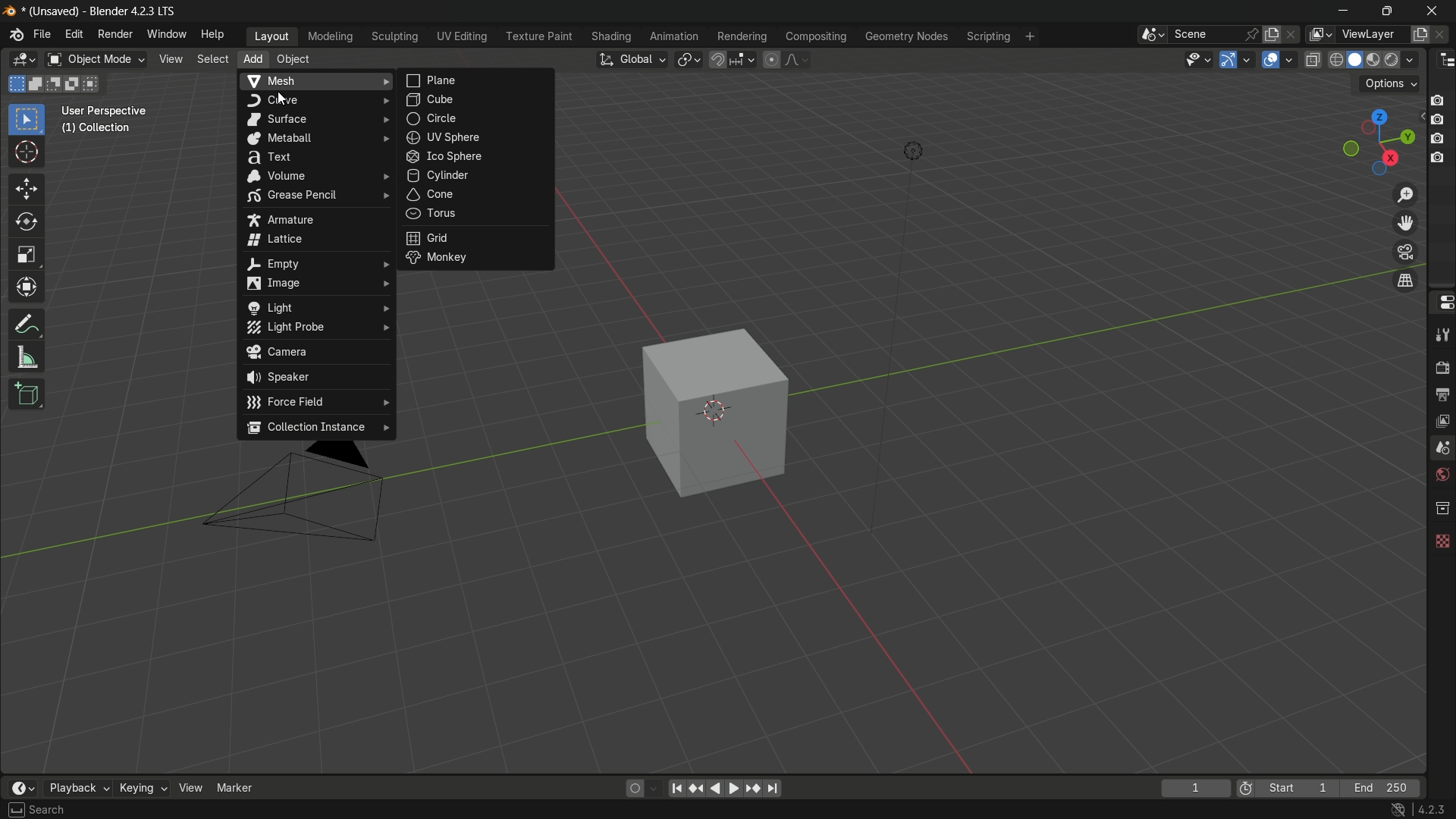 This screenshot has height=819, width=1456. What do you see at coordinates (114, 36) in the screenshot?
I see `render menu` at bounding box center [114, 36].